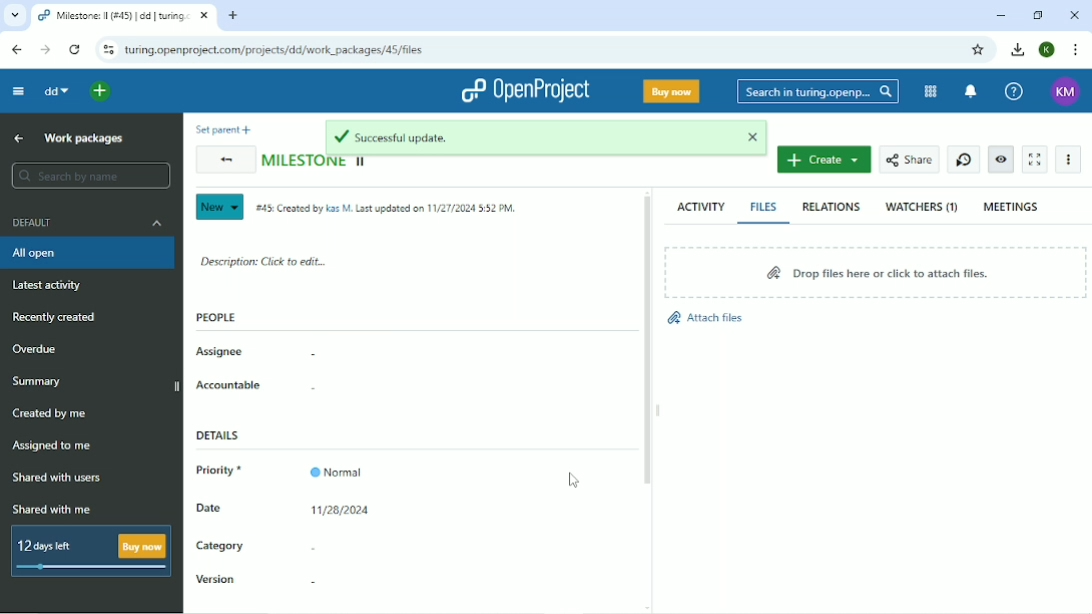 Image resolution: width=1092 pixels, height=614 pixels. Describe the element at coordinates (873, 271) in the screenshot. I see `Drop files here or click to attach files` at that location.